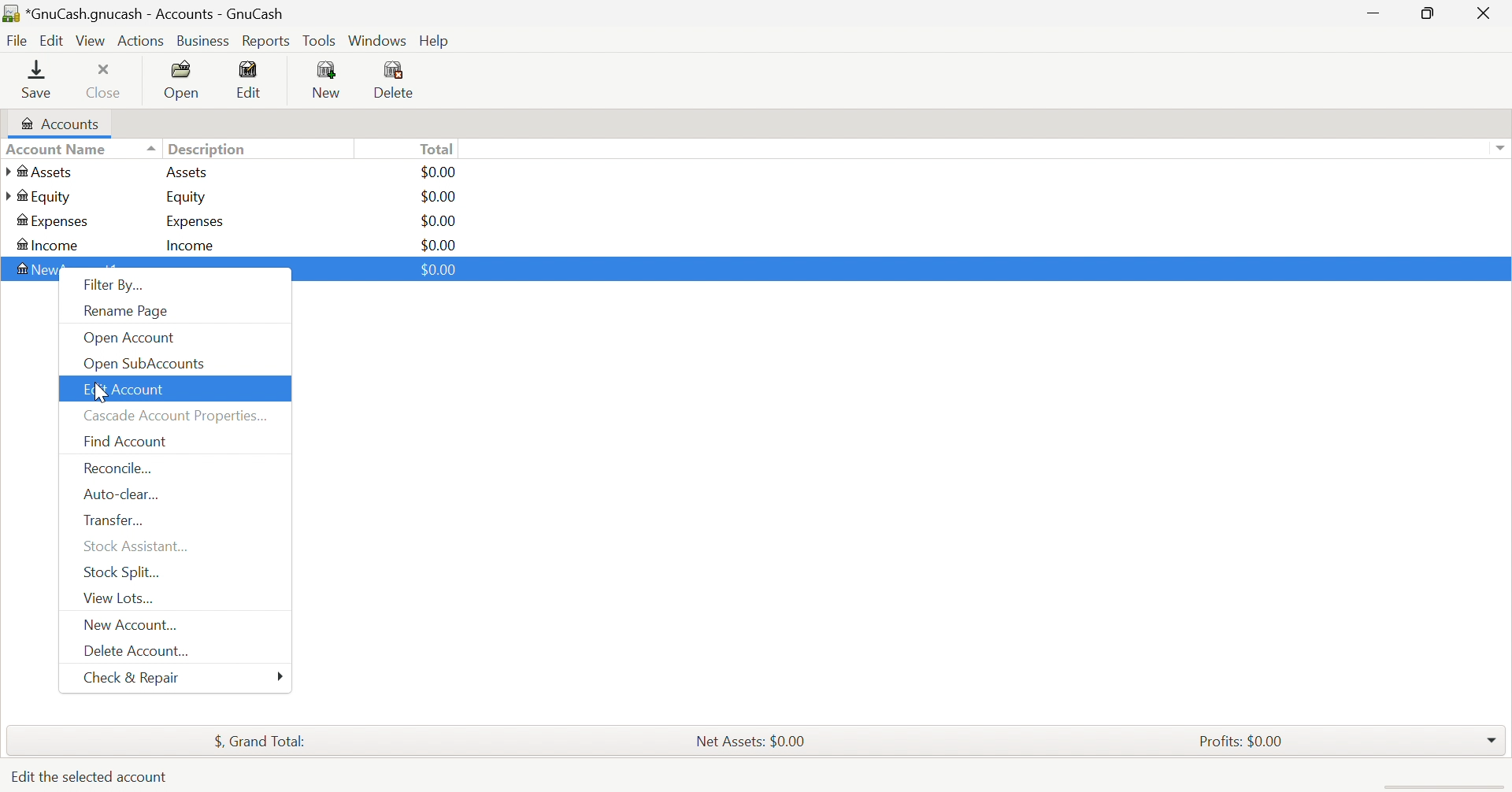 This screenshot has width=1512, height=792. I want to click on Help, so click(437, 40).